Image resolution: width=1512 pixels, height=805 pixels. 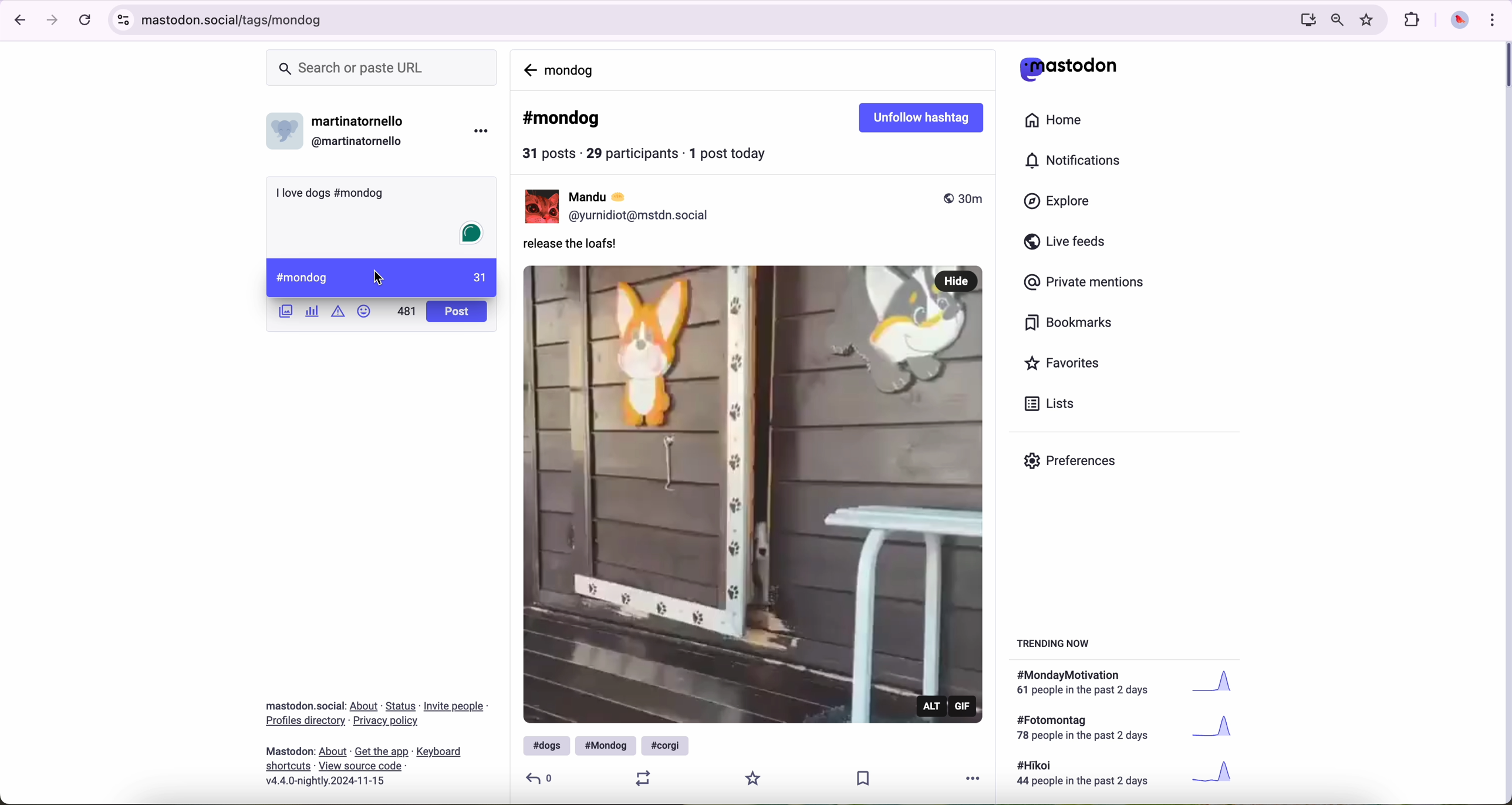 What do you see at coordinates (575, 247) in the screenshot?
I see `release the loafs!` at bounding box center [575, 247].